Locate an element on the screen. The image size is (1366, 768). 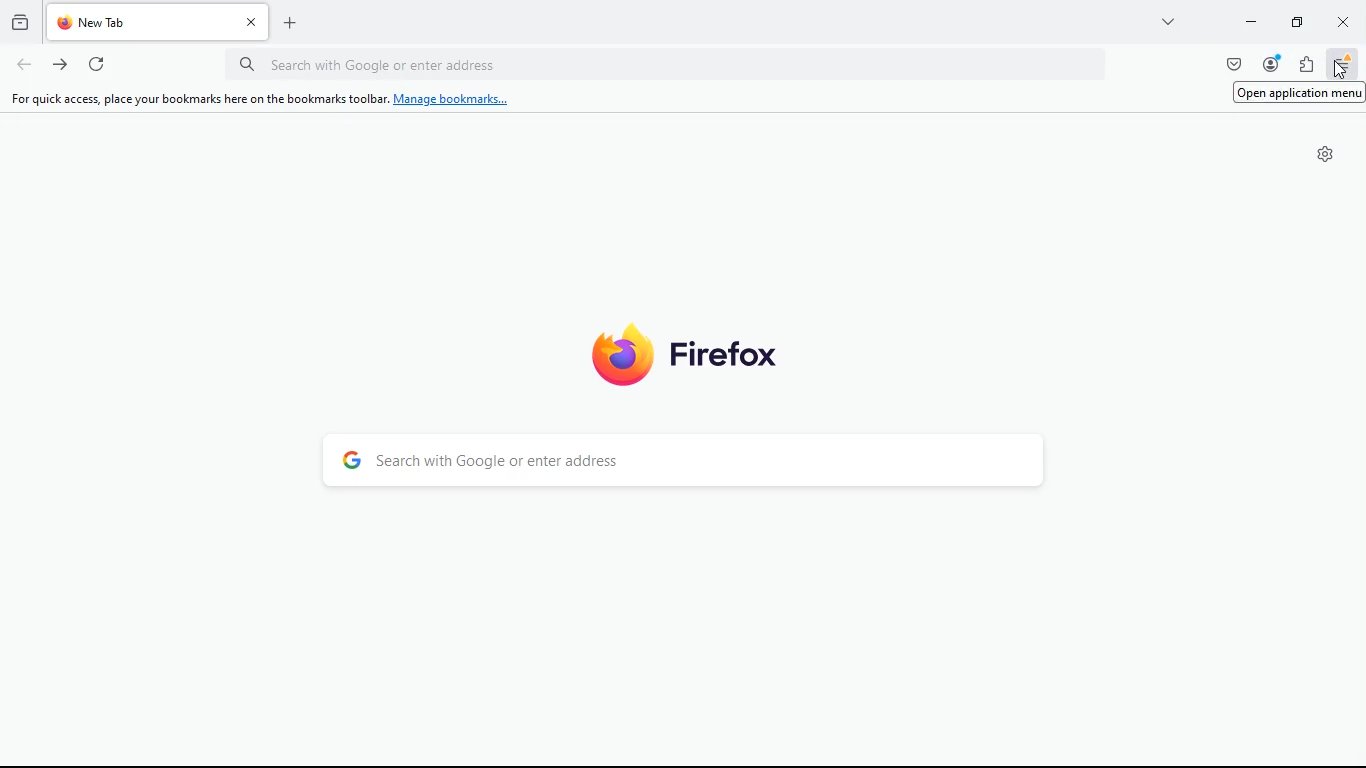
more is located at coordinates (1167, 25).